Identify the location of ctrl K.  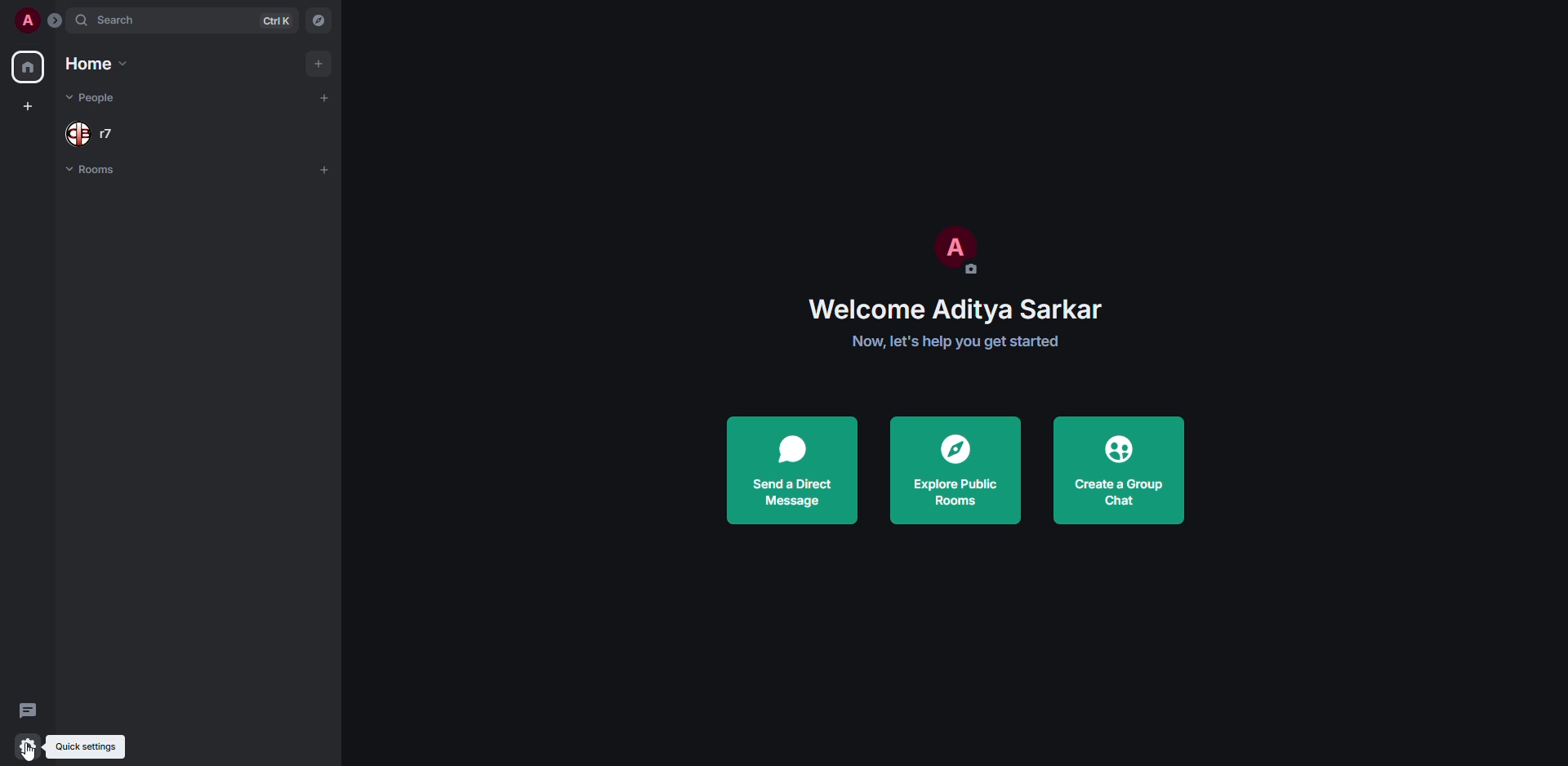
(278, 20).